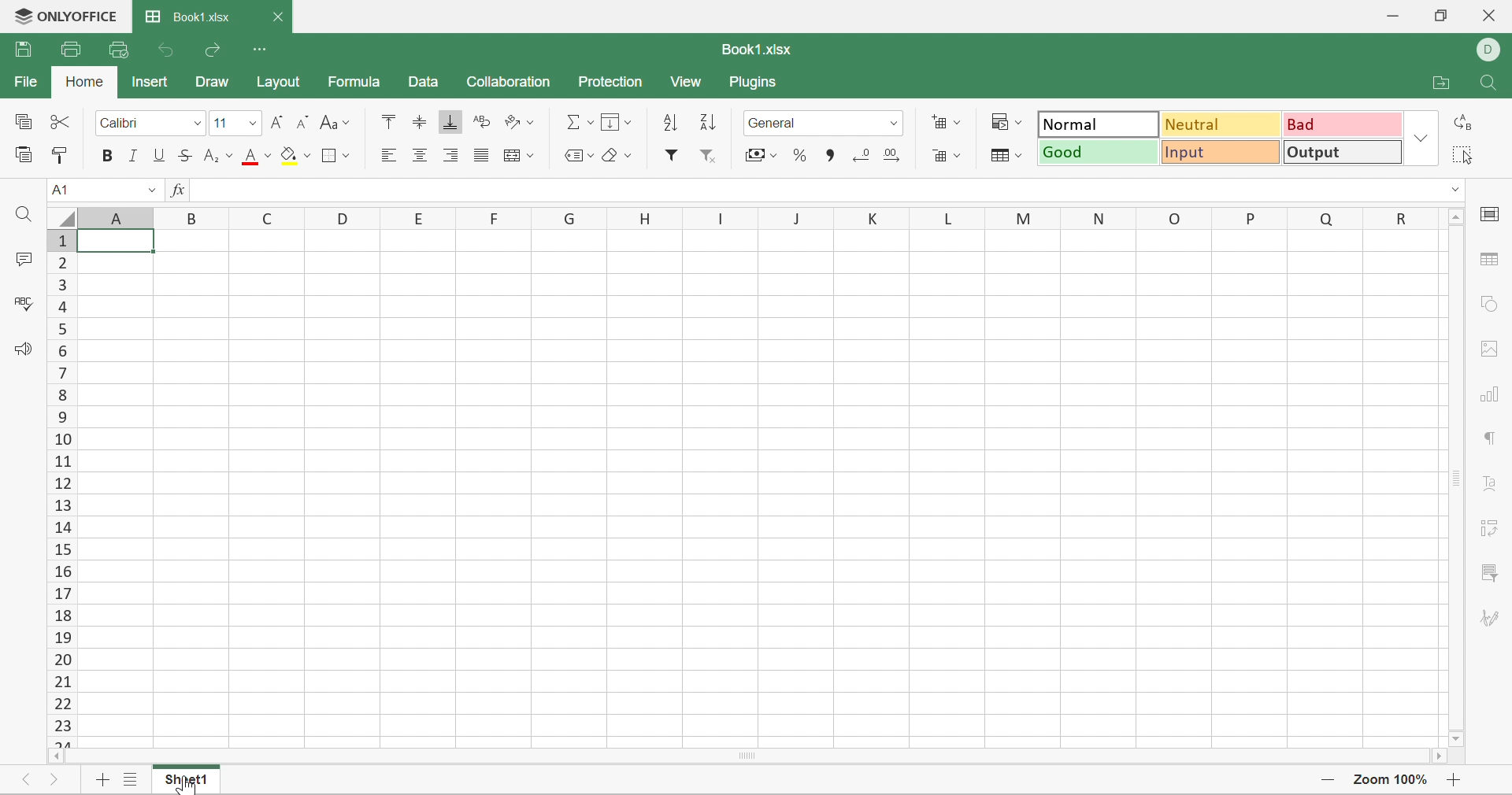 The image size is (1512, 795). Describe the element at coordinates (213, 81) in the screenshot. I see `Draw` at that location.